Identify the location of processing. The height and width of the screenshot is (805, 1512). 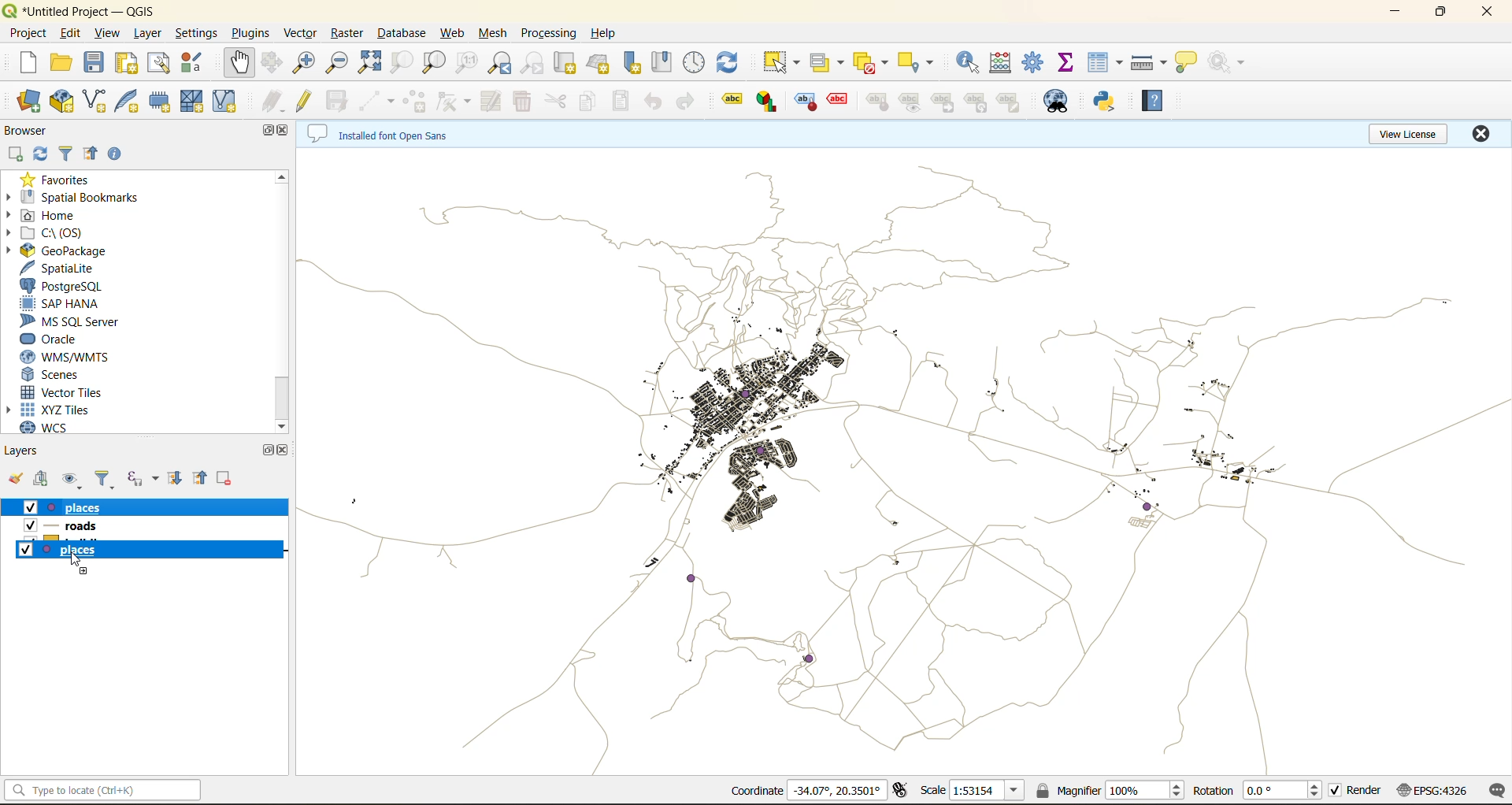
(550, 33).